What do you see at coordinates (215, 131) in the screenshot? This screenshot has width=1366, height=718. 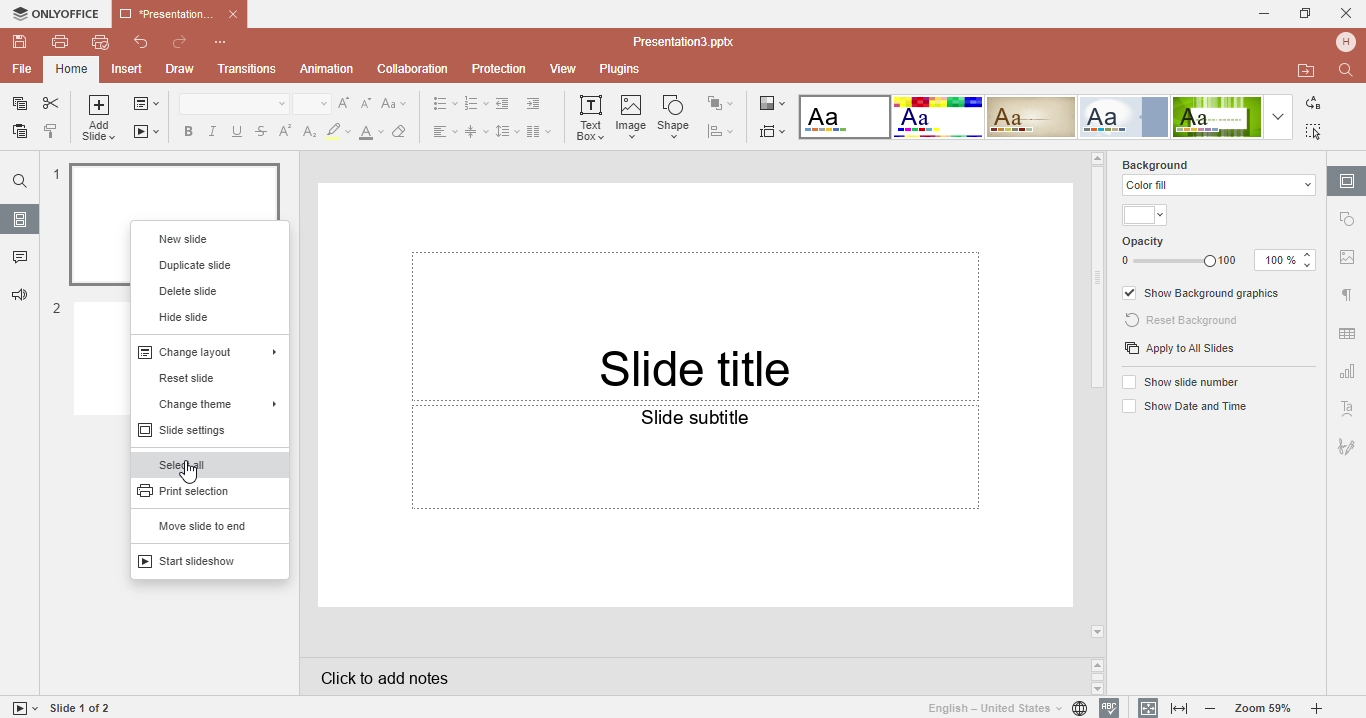 I see `Italic` at bounding box center [215, 131].